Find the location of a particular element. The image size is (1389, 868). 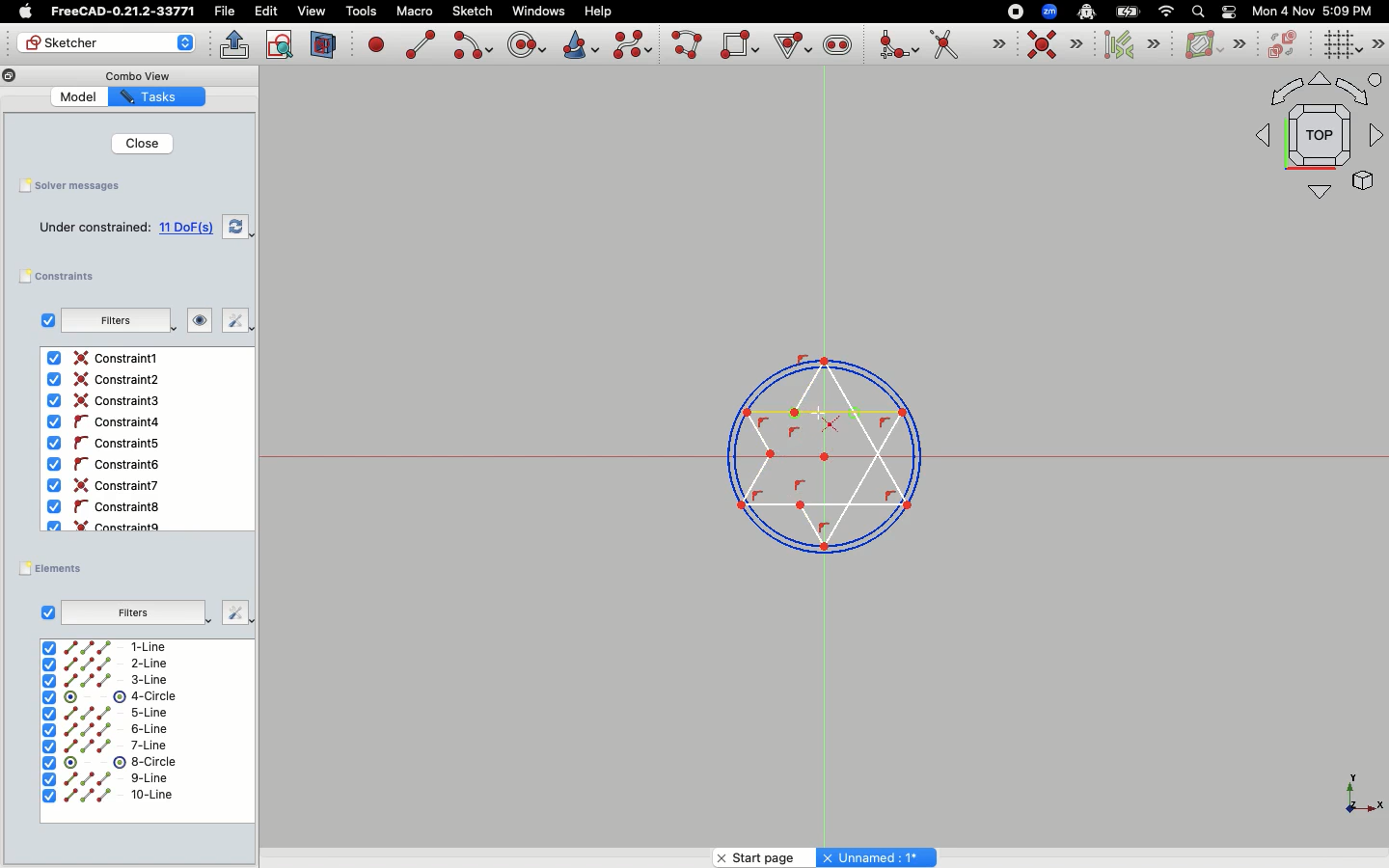

Network is located at coordinates (1167, 12).